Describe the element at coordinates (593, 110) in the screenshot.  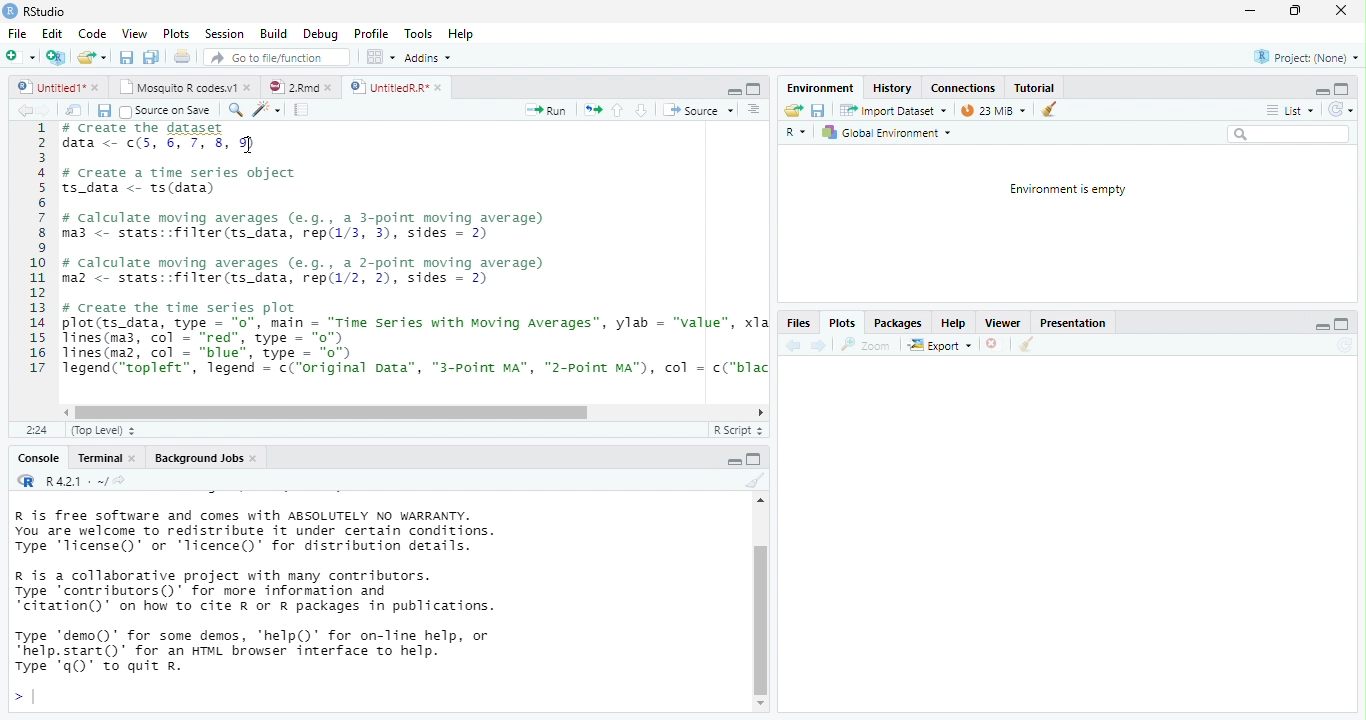
I see `re-run the previous code` at that location.